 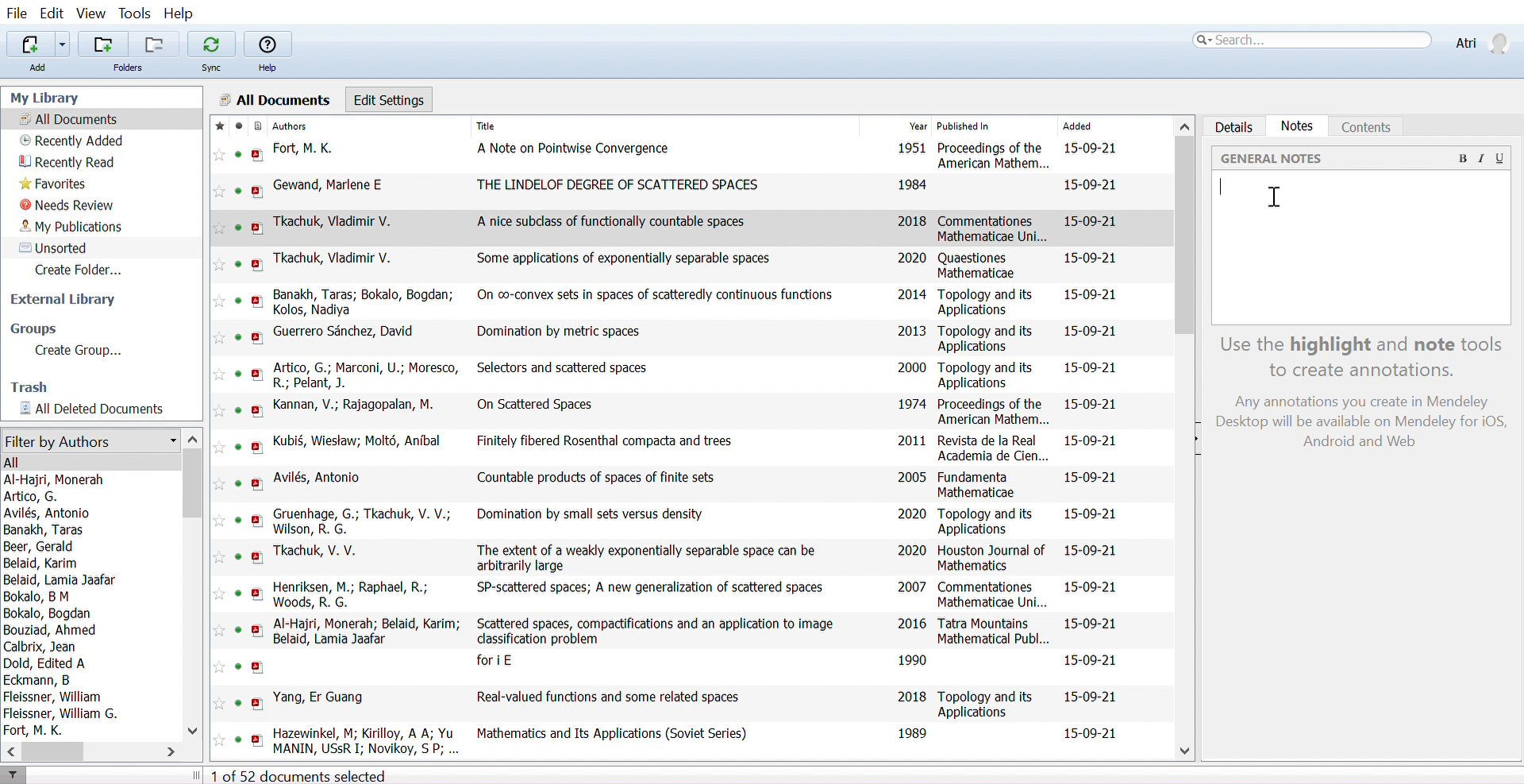 I want to click on 15-09-21, so click(x=1095, y=332).